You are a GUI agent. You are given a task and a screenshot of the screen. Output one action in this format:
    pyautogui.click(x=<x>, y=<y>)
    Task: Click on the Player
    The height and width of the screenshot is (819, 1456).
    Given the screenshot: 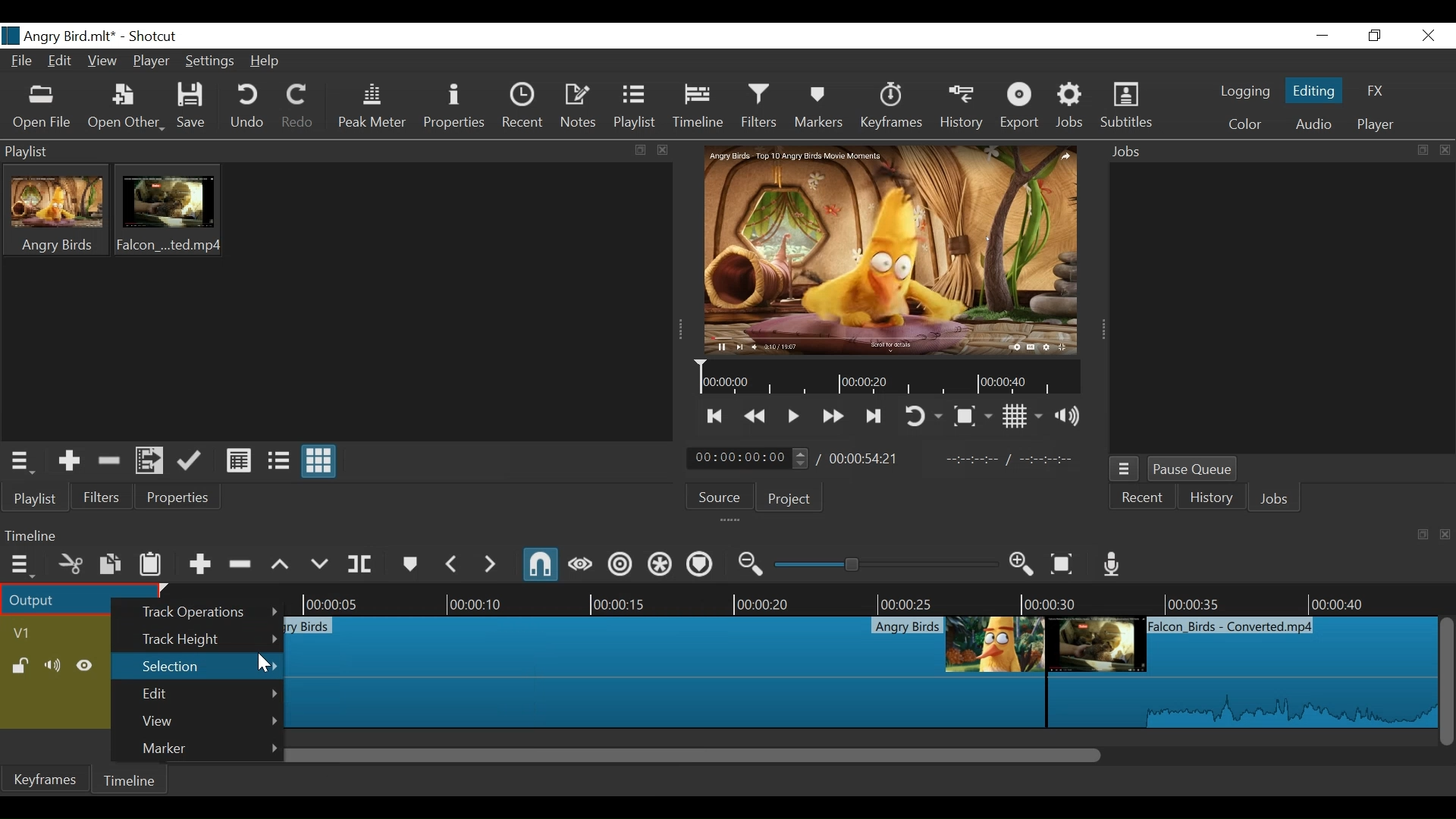 What is the action you would take?
    pyautogui.click(x=1378, y=124)
    